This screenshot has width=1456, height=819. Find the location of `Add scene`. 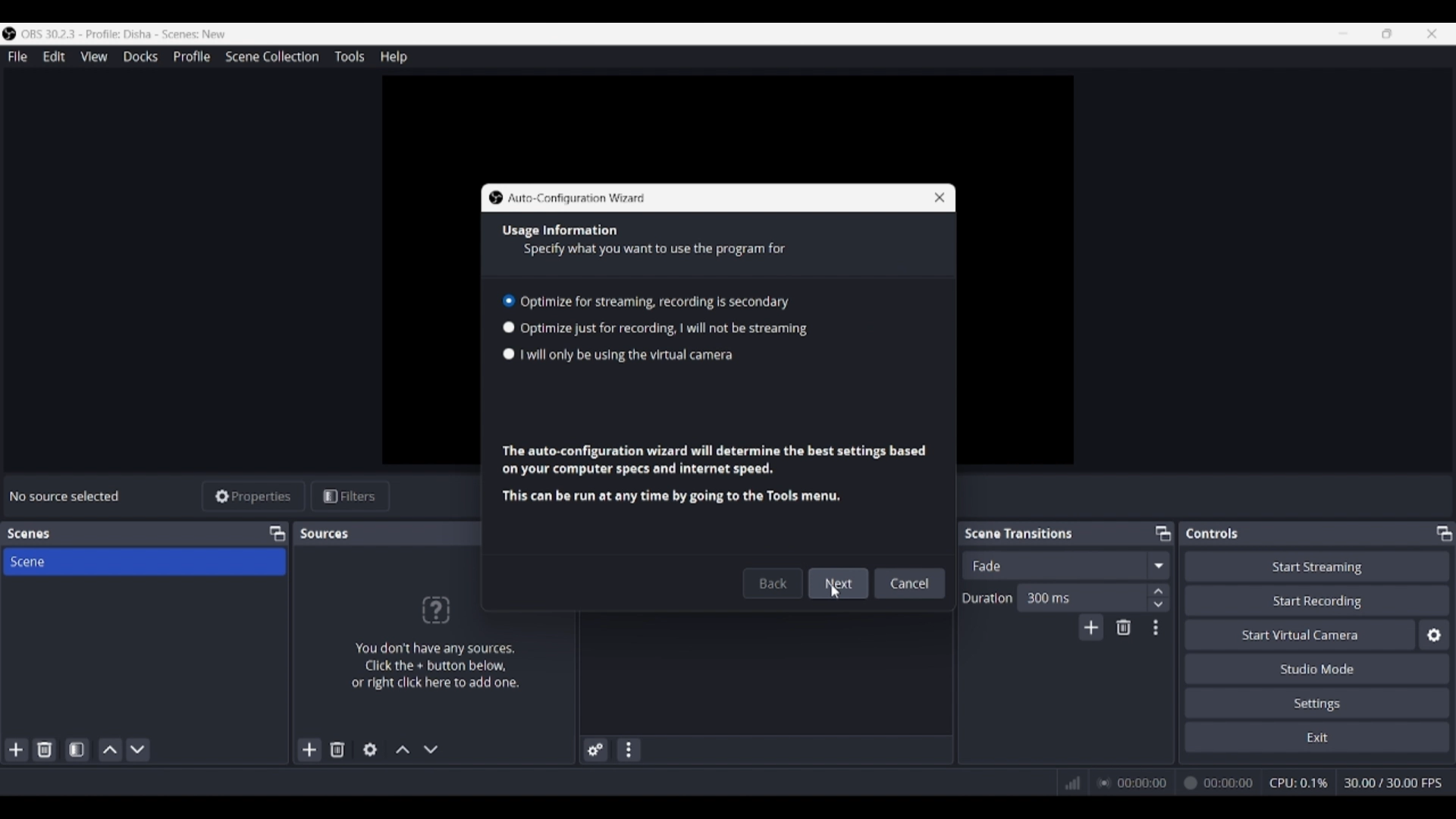

Add scene is located at coordinates (17, 750).